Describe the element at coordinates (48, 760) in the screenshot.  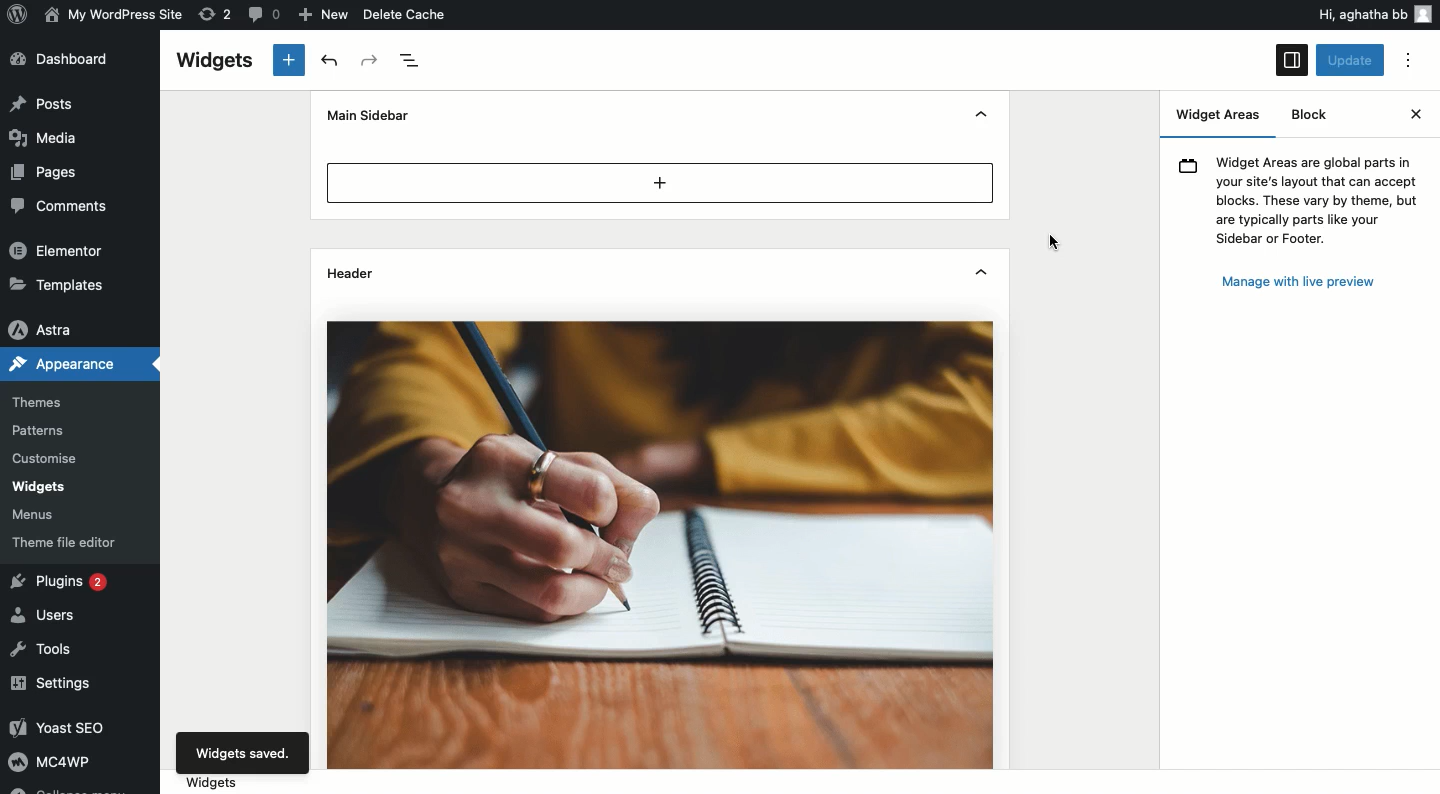
I see `MC4WP` at that location.